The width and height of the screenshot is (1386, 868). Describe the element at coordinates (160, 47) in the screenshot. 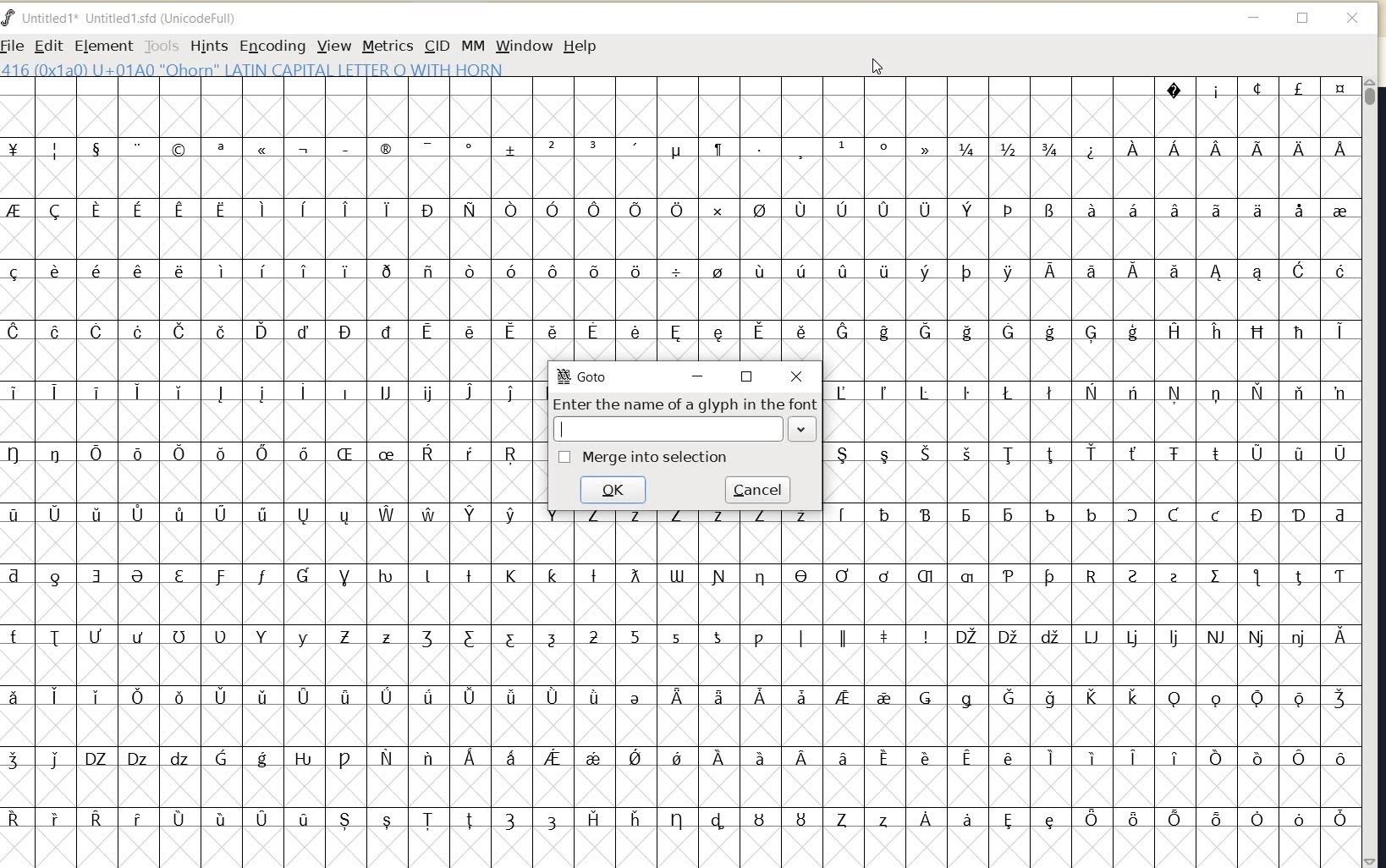

I see `TOOLS` at that location.